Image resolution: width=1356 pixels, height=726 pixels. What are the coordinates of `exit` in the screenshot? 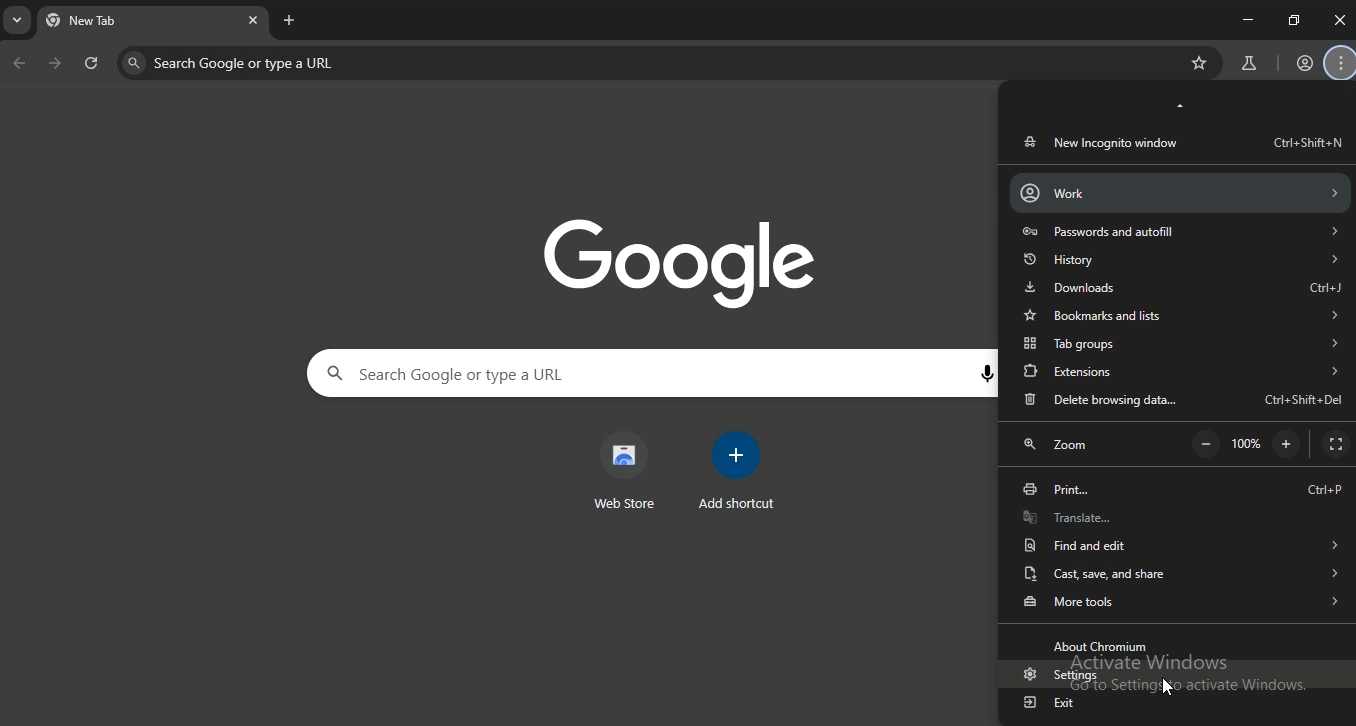 It's located at (1051, 703).